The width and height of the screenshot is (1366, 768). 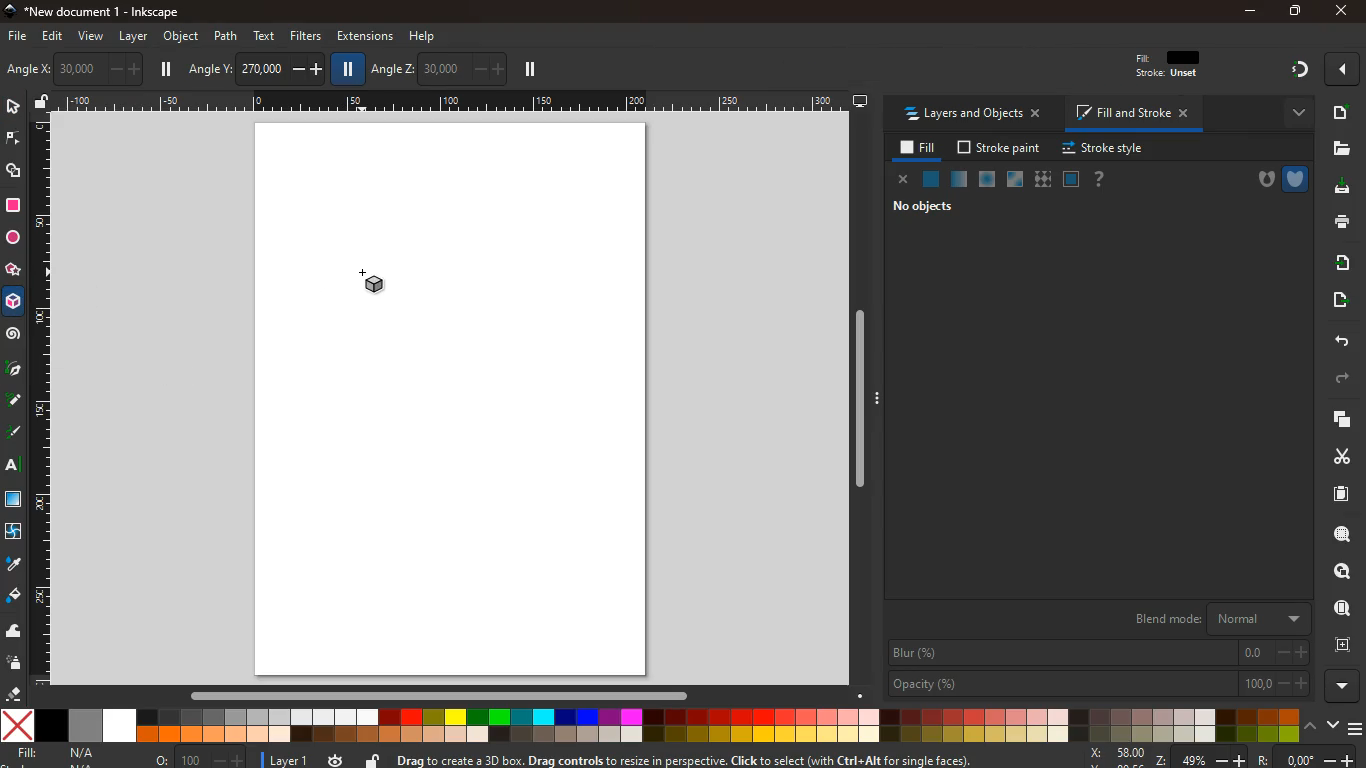 What do you see at coordinates (13, 370) in the screenshot?
I see `pic` at bounding box center [13, 370].